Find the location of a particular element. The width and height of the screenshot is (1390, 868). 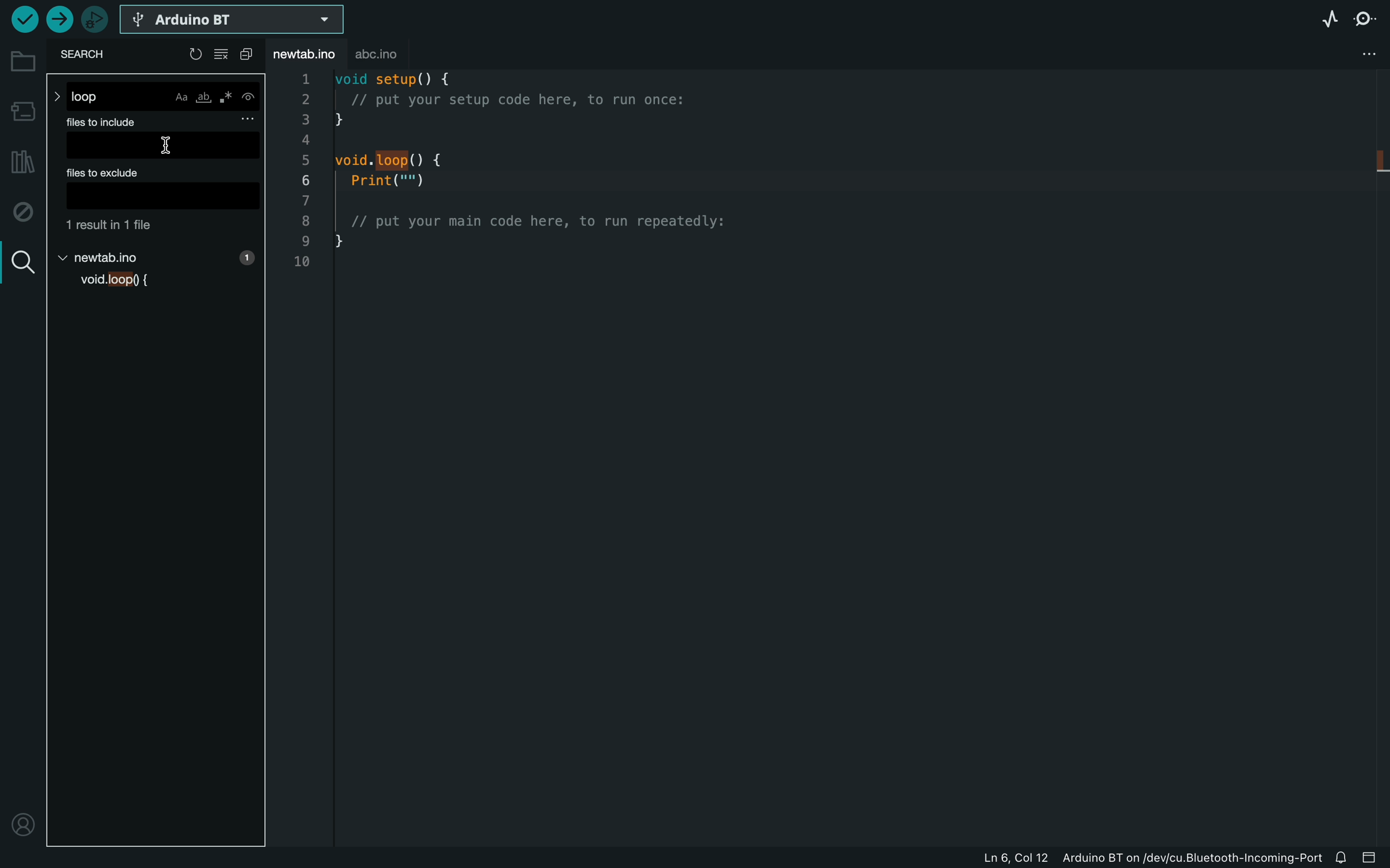

void setup() {// put your setup code here, to run once:}void. loop() {Print("")// put your main code here, to run repeatedly:} is located at coordinates (537, 180).